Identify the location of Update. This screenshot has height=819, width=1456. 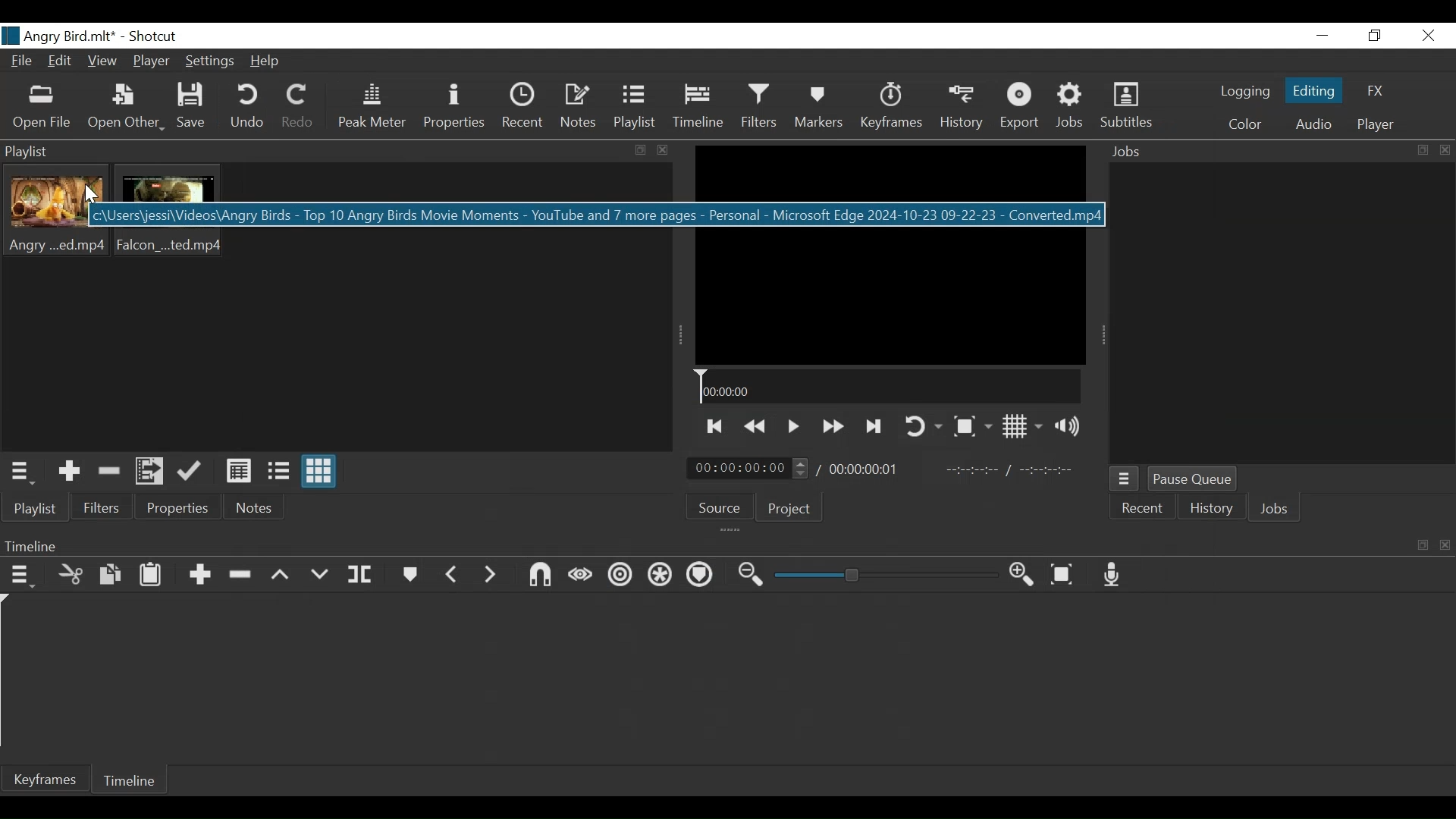
(193, 471).